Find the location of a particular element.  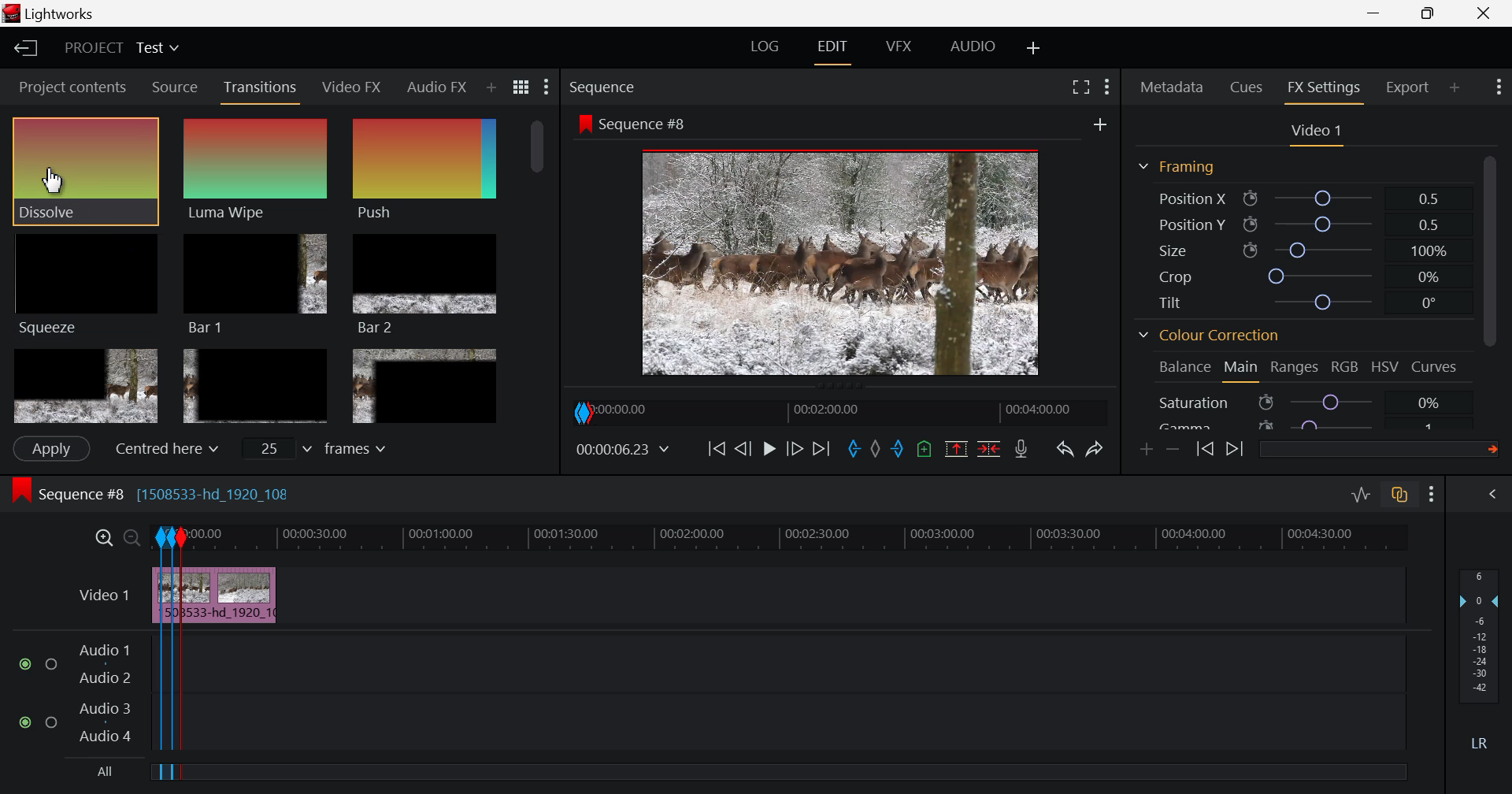

Audio Layers Input is located at coordinates (86, 695).